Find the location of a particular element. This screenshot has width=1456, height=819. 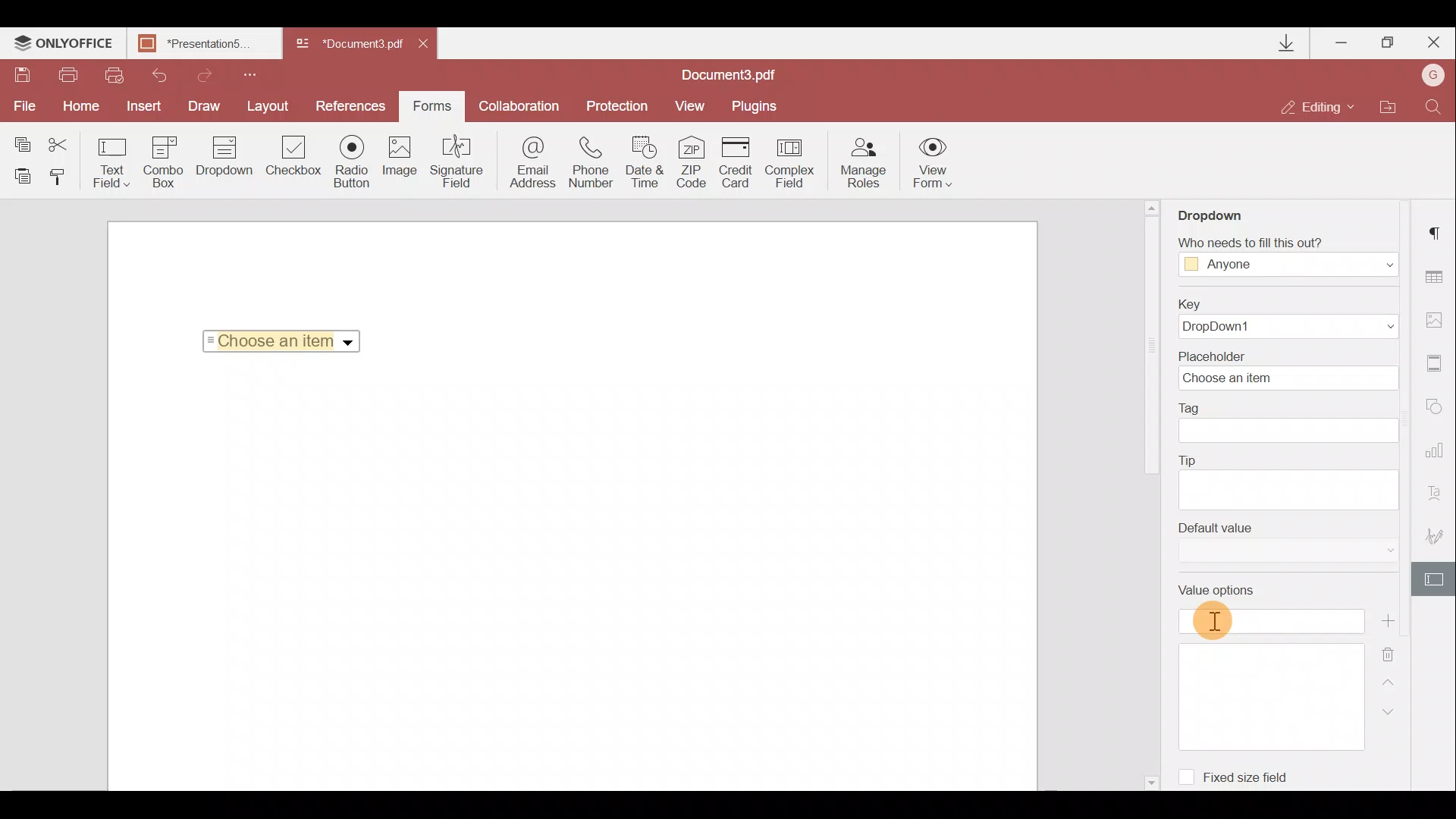

Tip is located at coordinates (1288, 480).